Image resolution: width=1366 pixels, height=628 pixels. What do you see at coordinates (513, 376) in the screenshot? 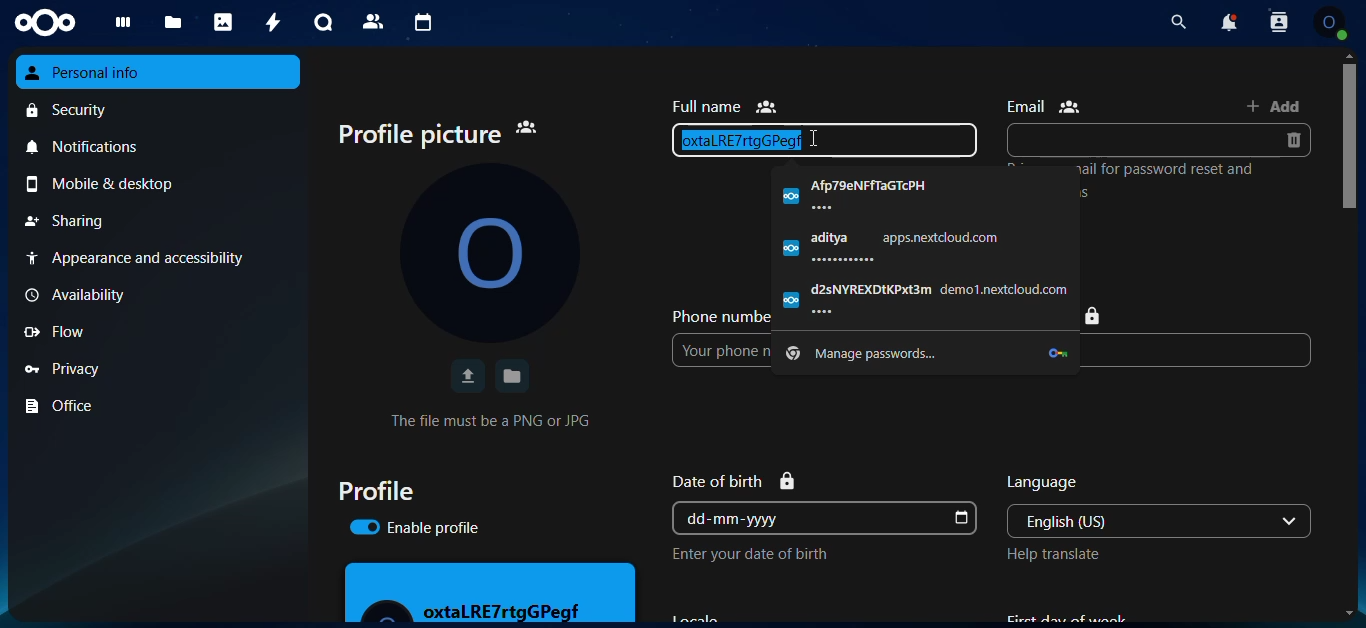
I see `save` at bounding box center [513, 376].